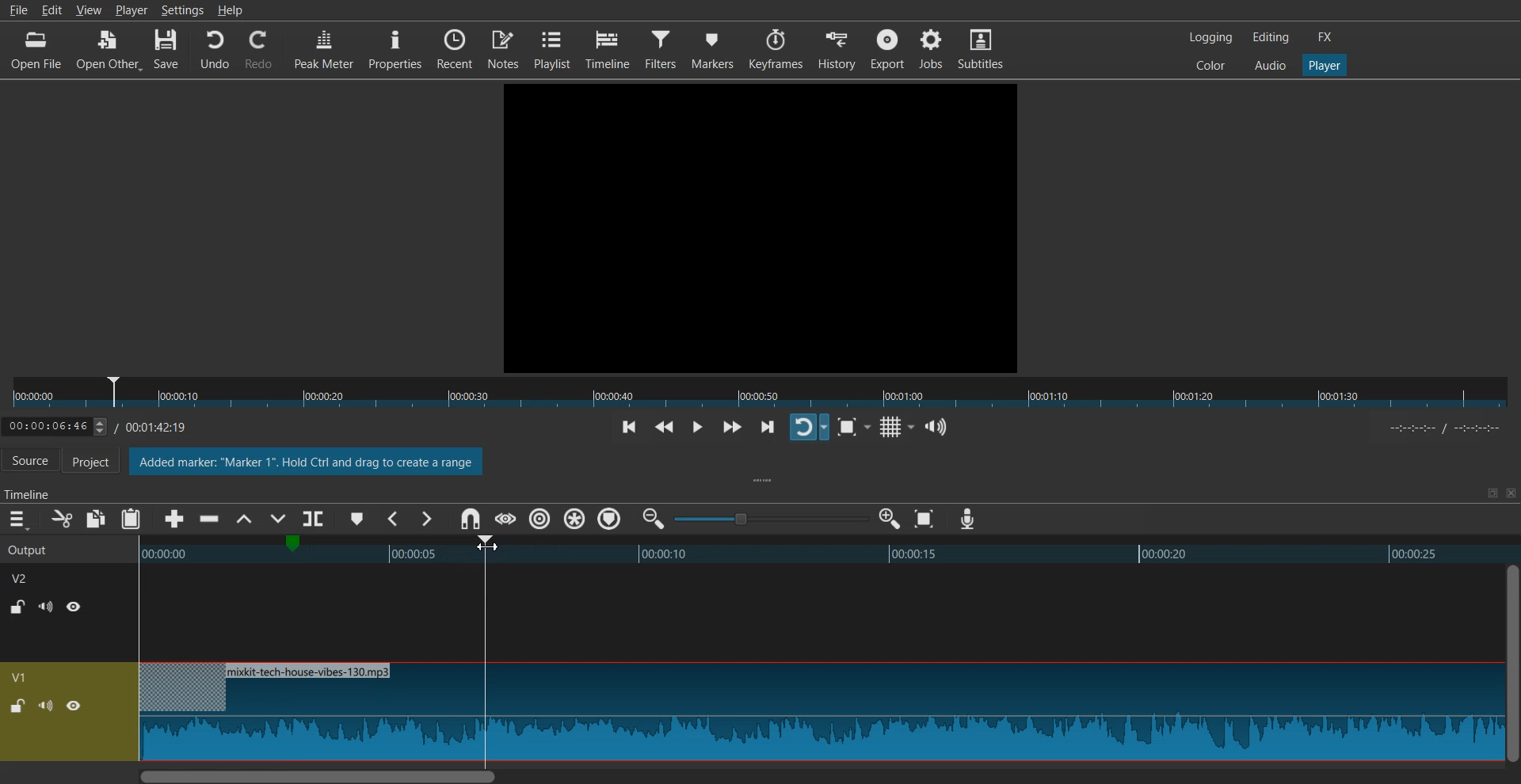 The image size is (1521, 784). I want to click on Ripple delete, so click(210, 519).